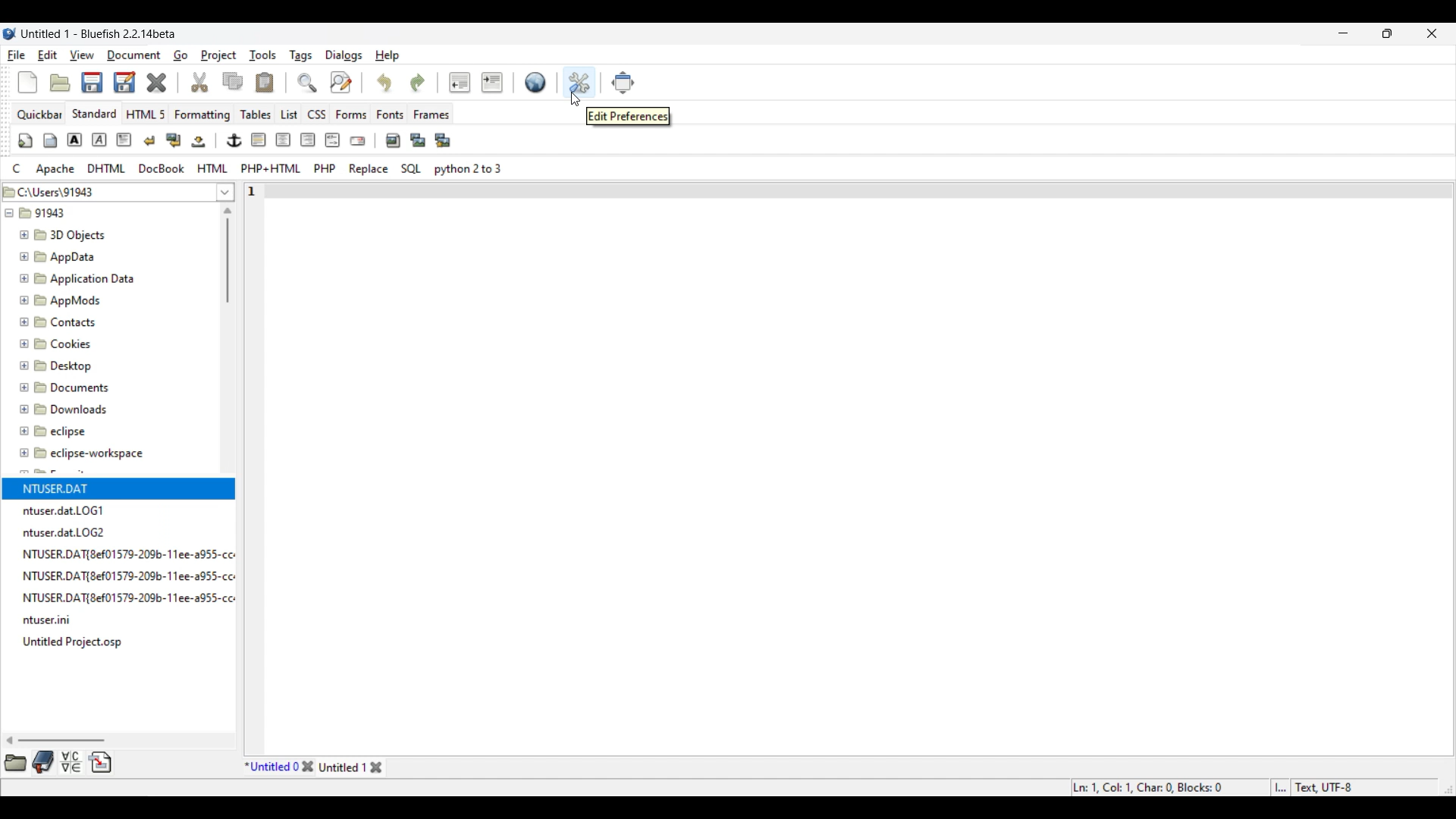 The width and height of the screenshot is (1456, 819). Describe the element at coordinates (108, 82) in the screenshot. I see `Save` at that location.